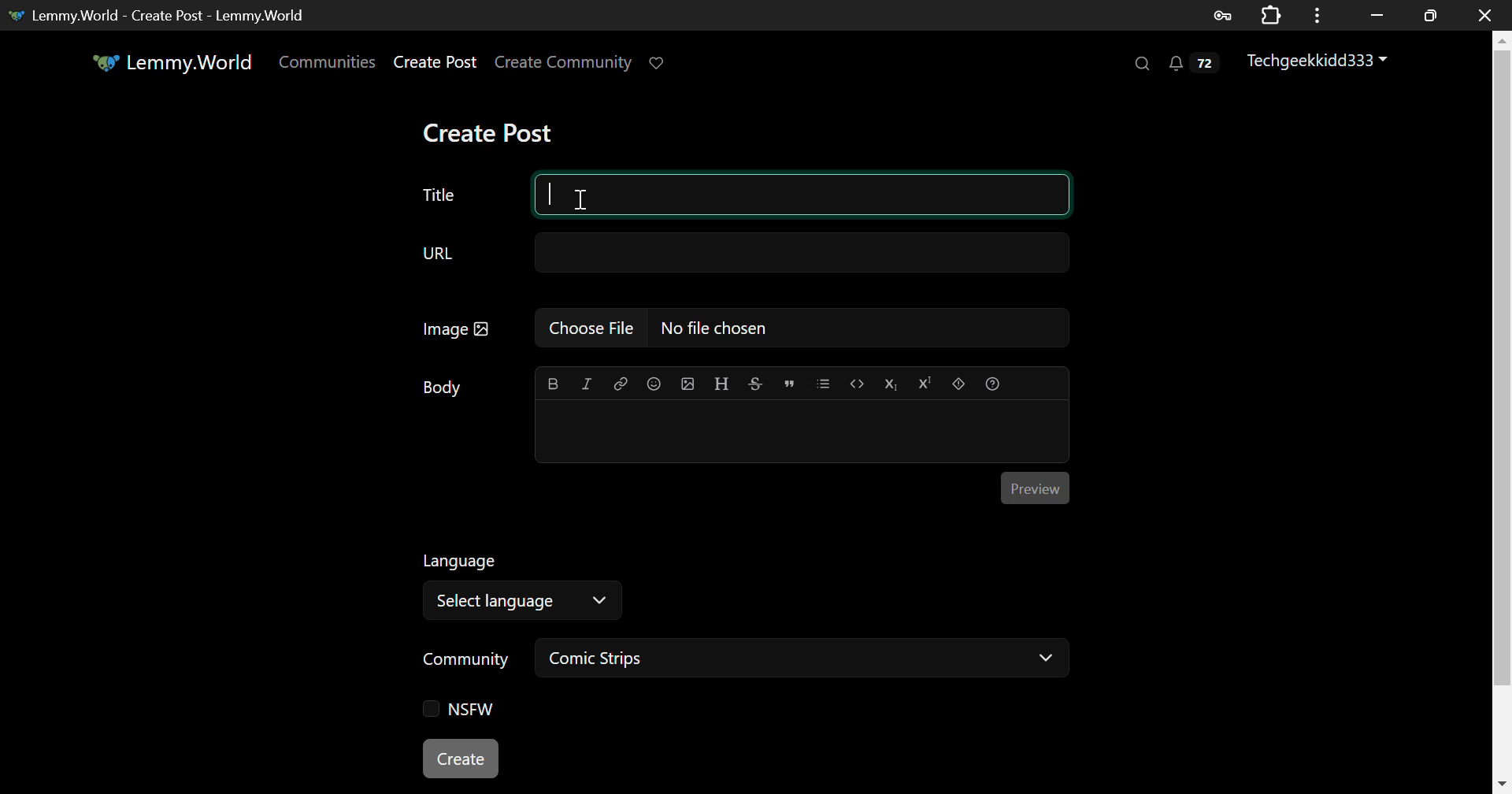  What do you see at coordinates (552, 385) in the screenshot?
I see `Bold` at bounding box center [552, 385].